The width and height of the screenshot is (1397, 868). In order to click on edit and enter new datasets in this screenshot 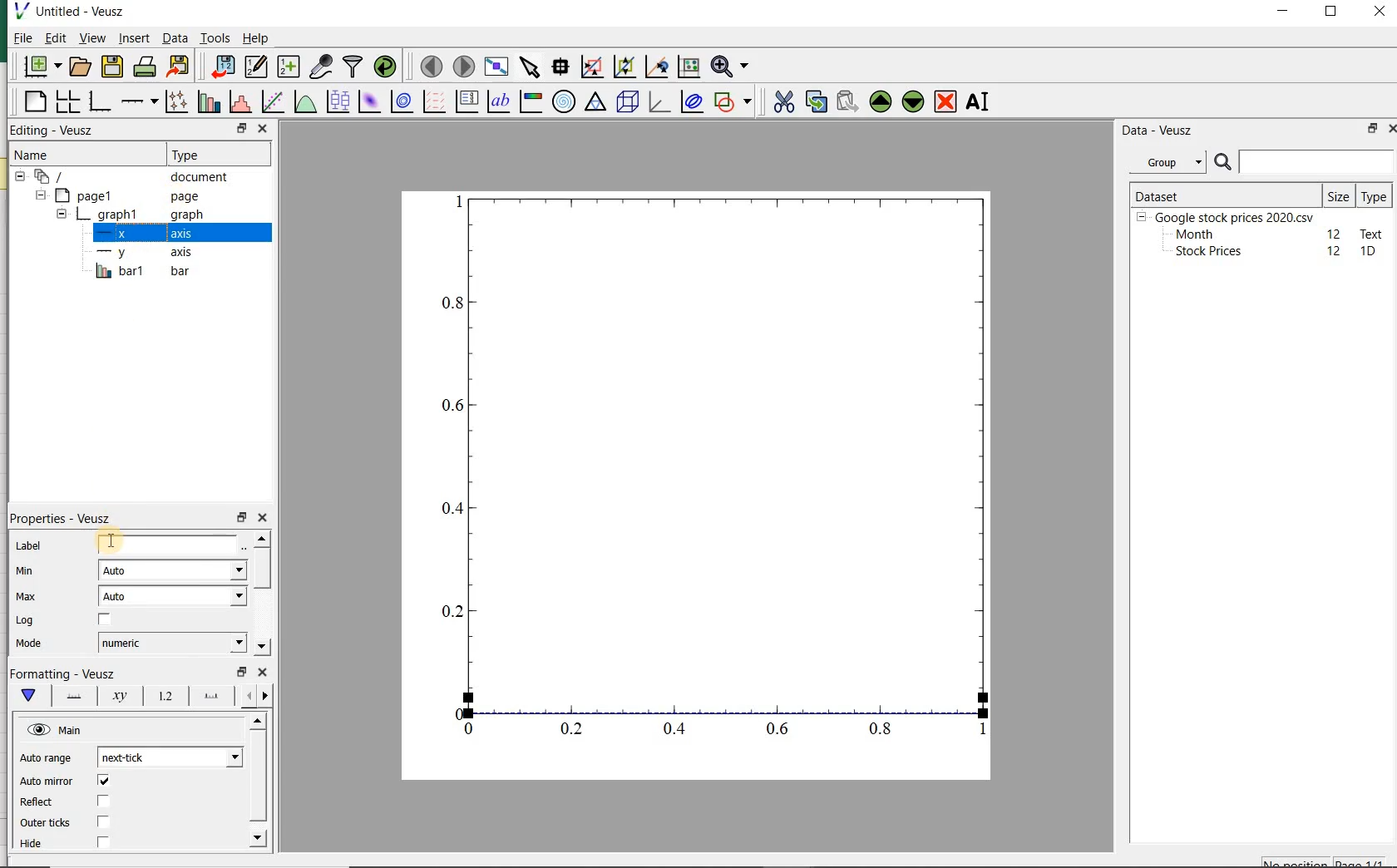, I will do `click(255, 67)`.